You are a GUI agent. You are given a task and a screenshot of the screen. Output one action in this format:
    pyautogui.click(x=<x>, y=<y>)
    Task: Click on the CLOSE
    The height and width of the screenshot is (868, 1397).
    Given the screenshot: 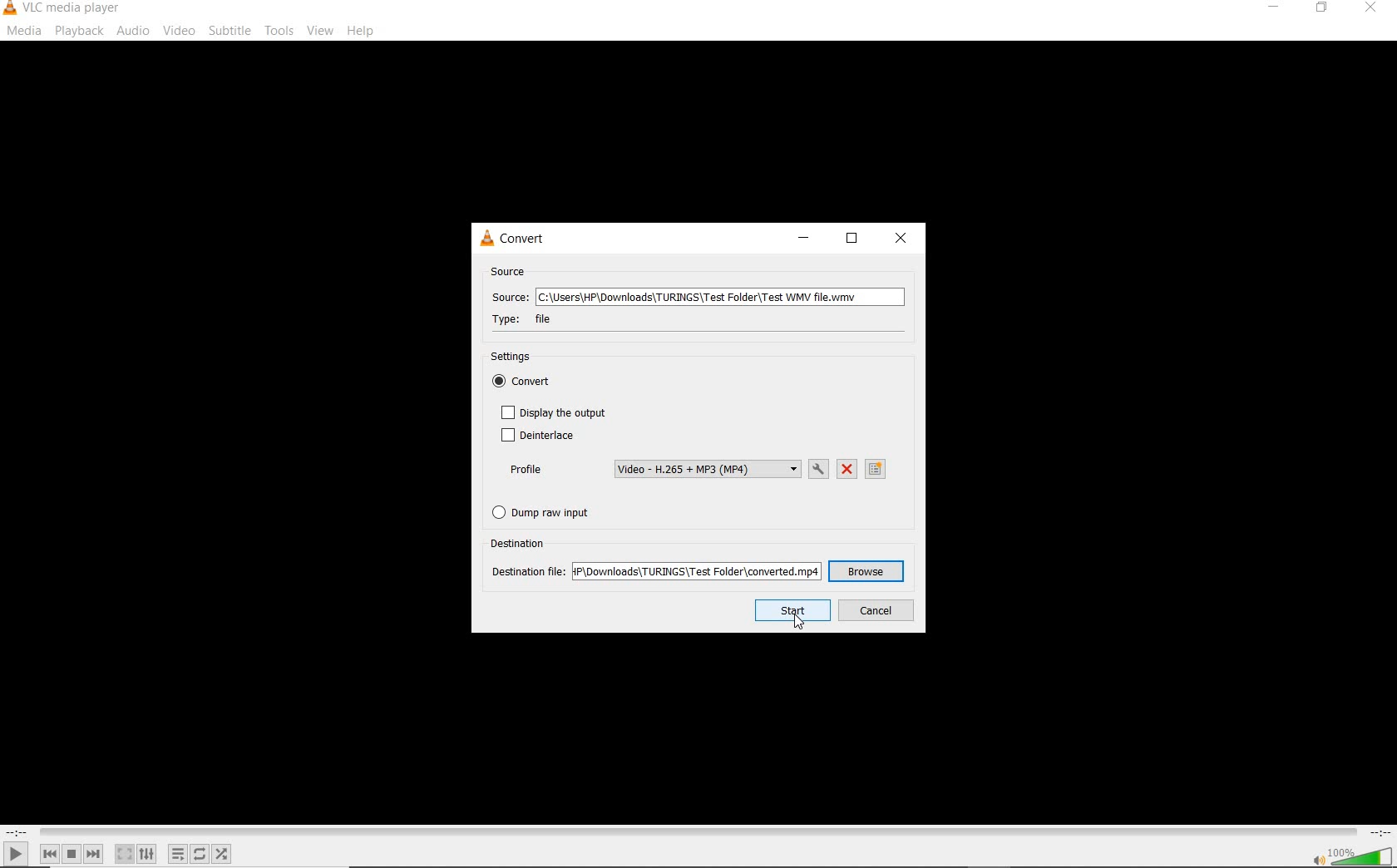 What is the action you would take?
    pyautogui.click(x=903, y=239)
    